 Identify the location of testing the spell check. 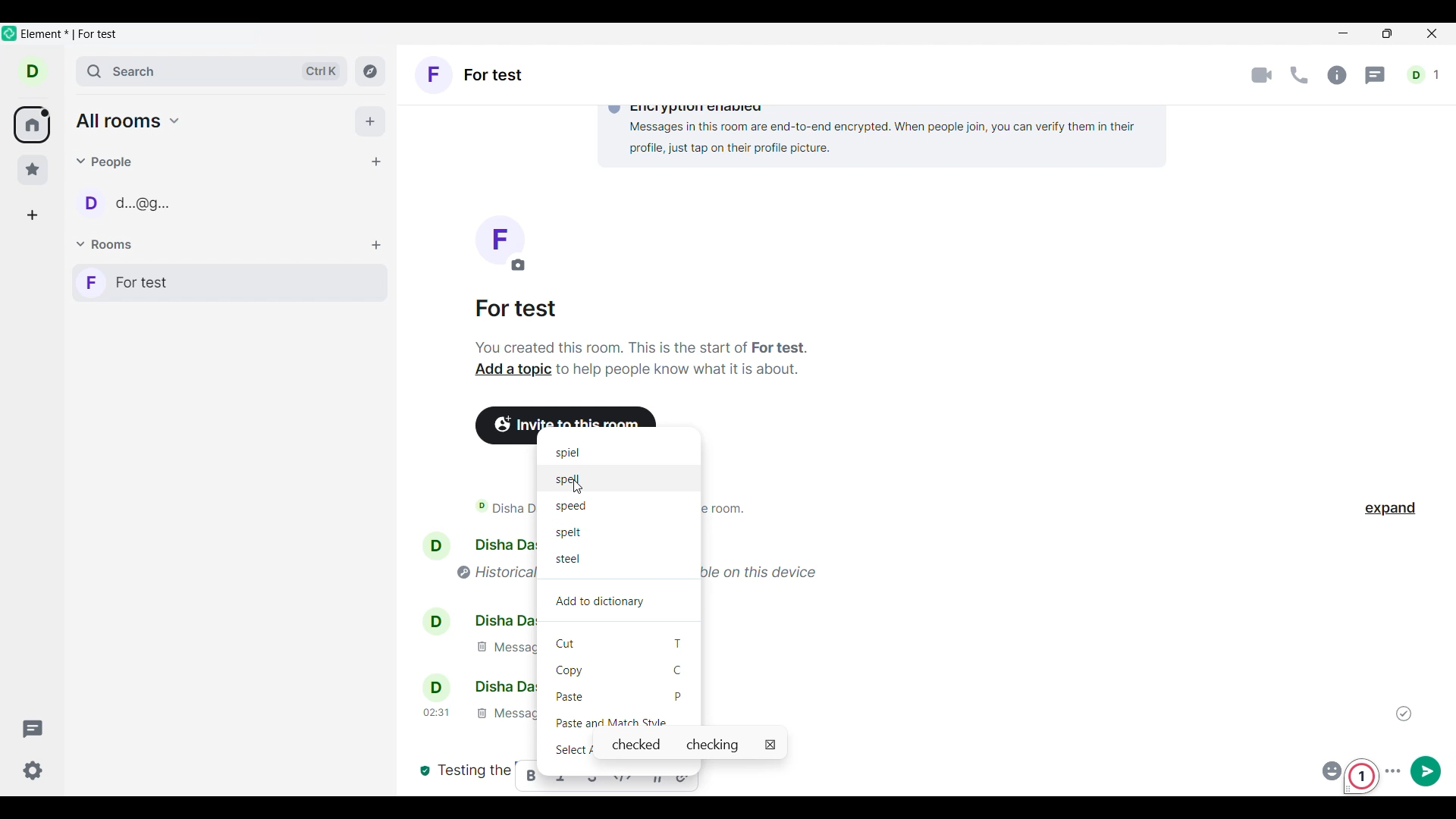
(474, 772).